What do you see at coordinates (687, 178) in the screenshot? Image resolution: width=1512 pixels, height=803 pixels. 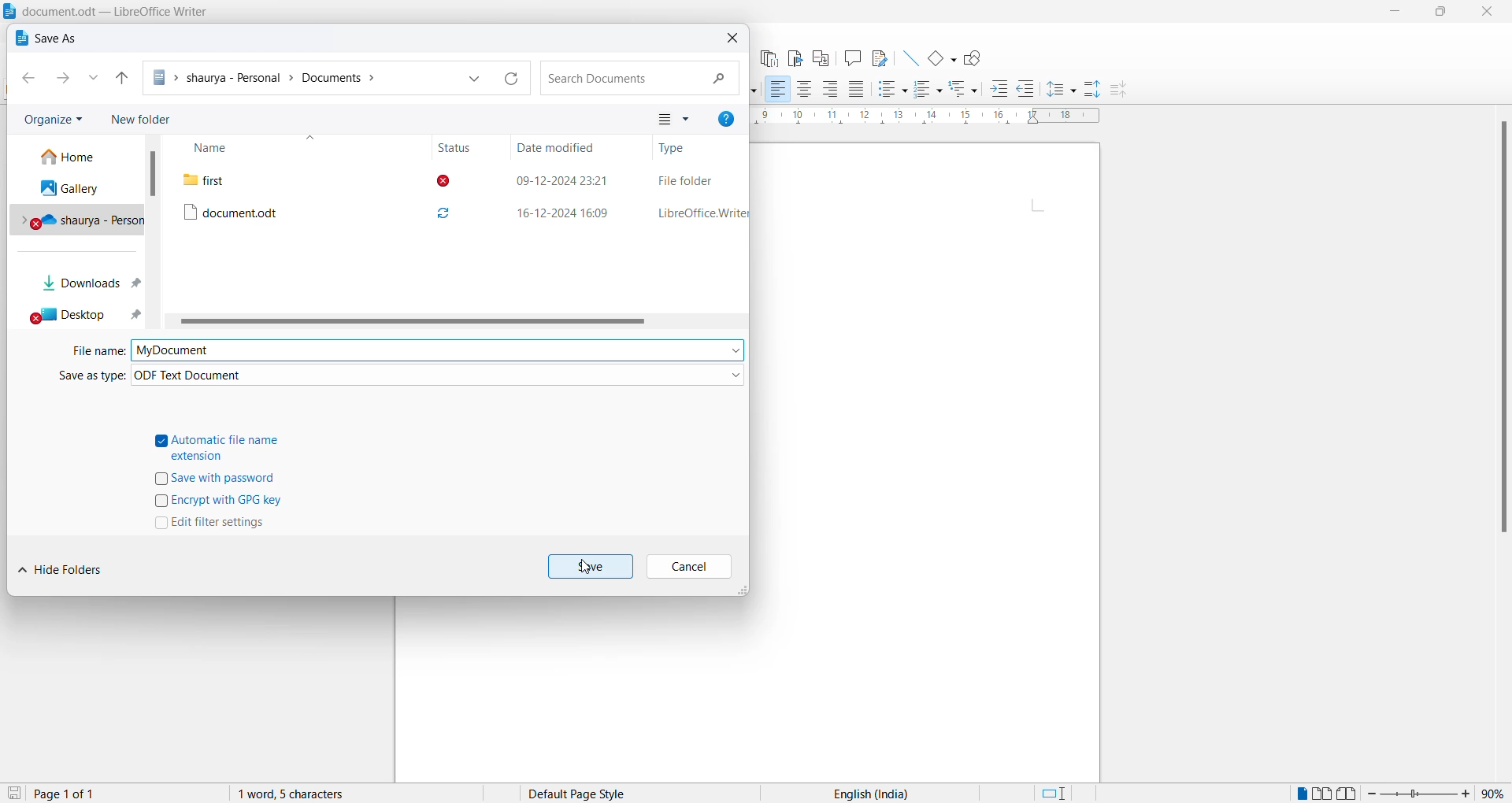 I see `file folder` at bounding box center [687, 178].